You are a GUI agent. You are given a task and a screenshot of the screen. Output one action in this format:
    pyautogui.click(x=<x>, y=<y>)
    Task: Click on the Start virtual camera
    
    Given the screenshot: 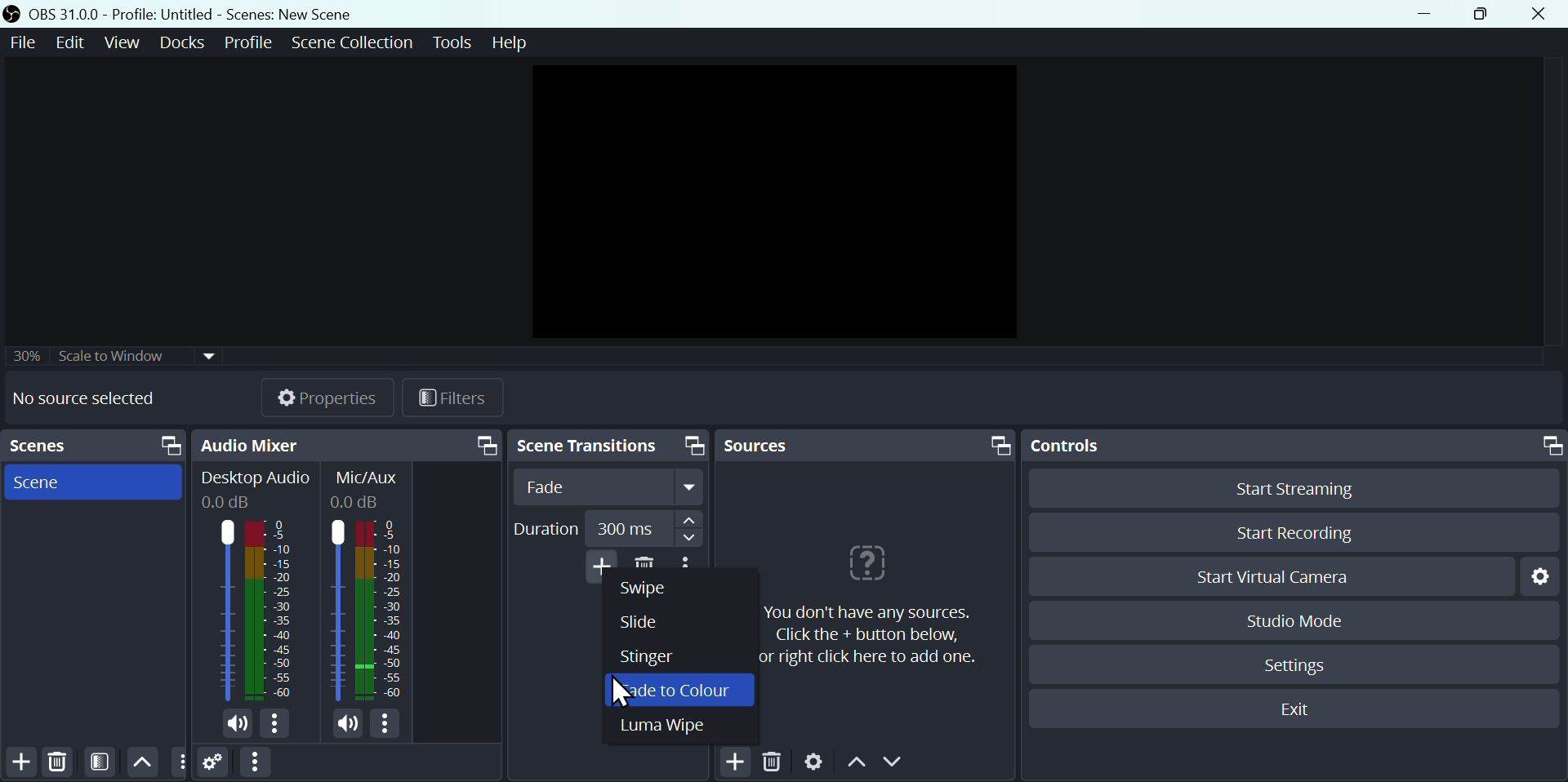 What is the action you would take?
    pyautogui.click(x=1269, y=576)
    